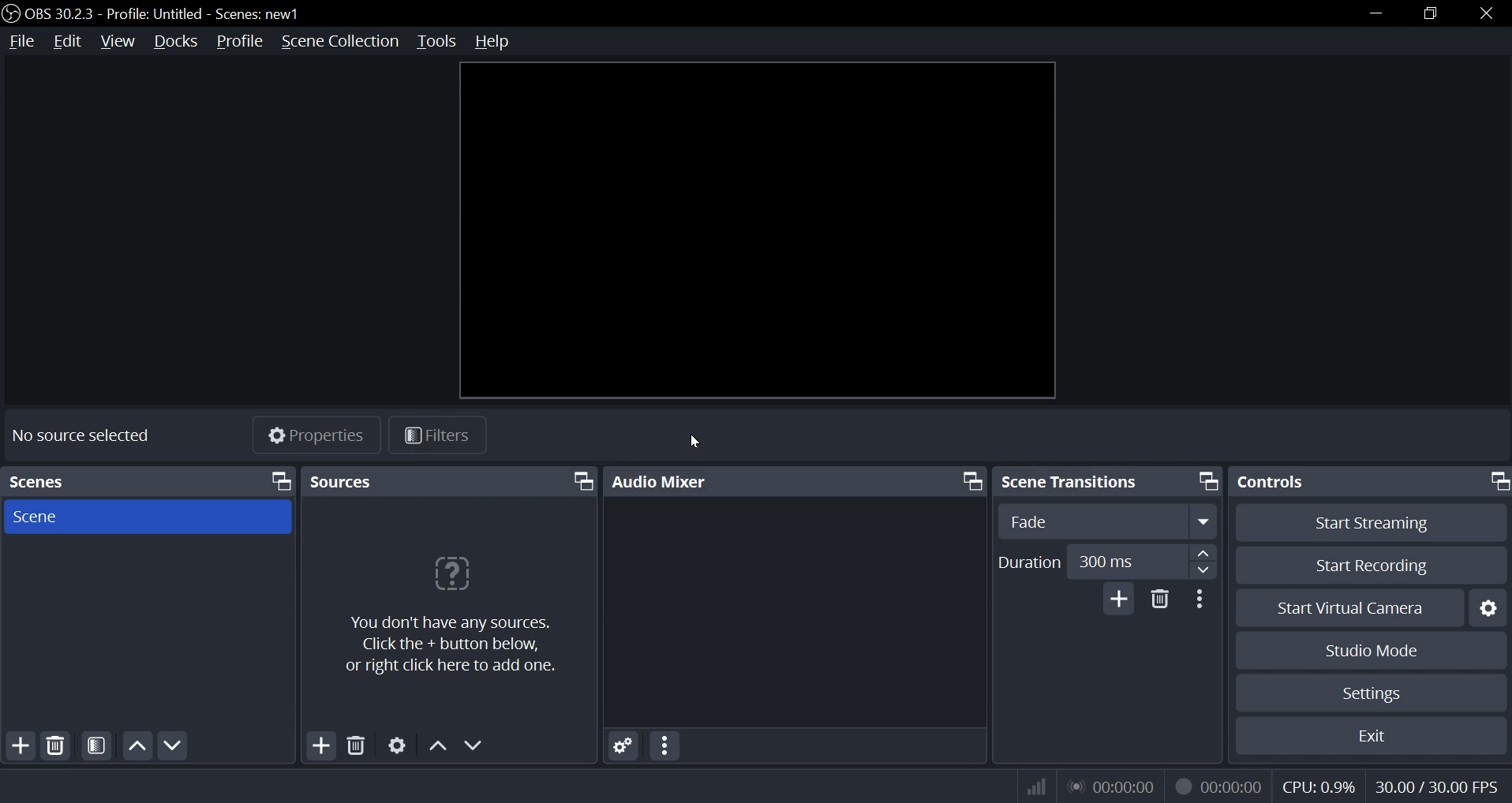 The height and width of the screenshot is (803, 1512). What do you see at coordinates (1498, 481) in the screenshot?
I see `bring front` at bounding box center [1498, 481].